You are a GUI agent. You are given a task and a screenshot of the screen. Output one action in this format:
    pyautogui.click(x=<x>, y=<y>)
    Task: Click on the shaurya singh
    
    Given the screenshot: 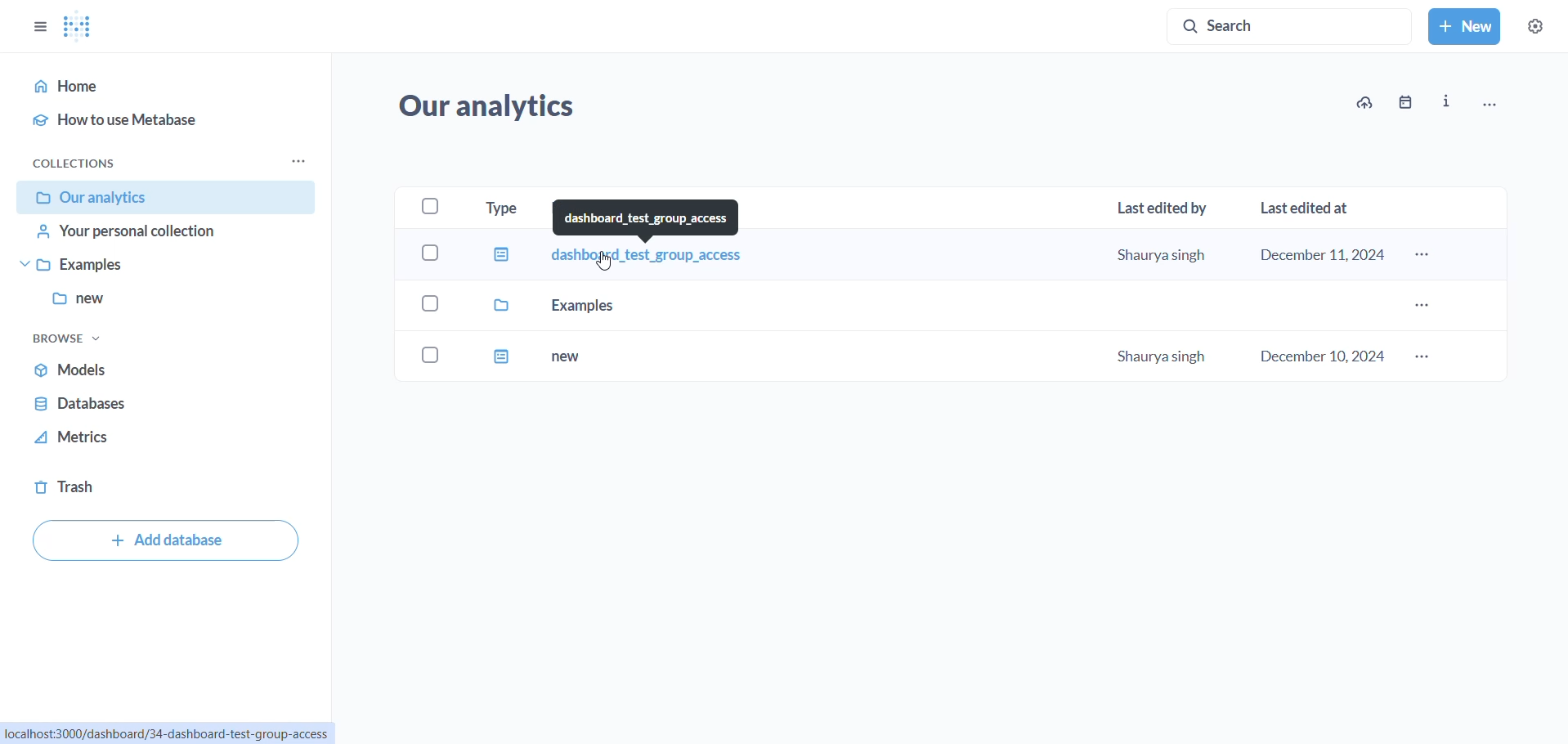 What is the action you would take?
    pyautogui.click(x=1172, y=256)
    